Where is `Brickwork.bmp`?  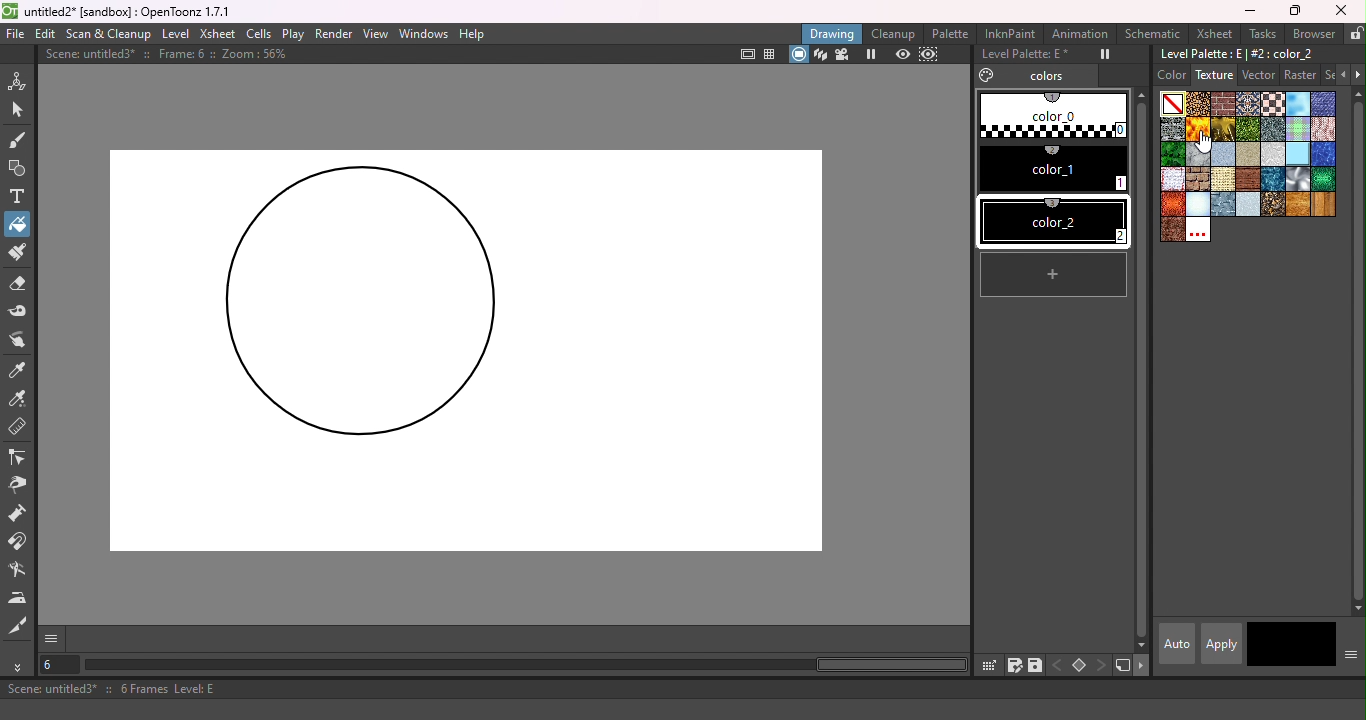 Brickwork.bmp is located at coordinates (1224, 103).